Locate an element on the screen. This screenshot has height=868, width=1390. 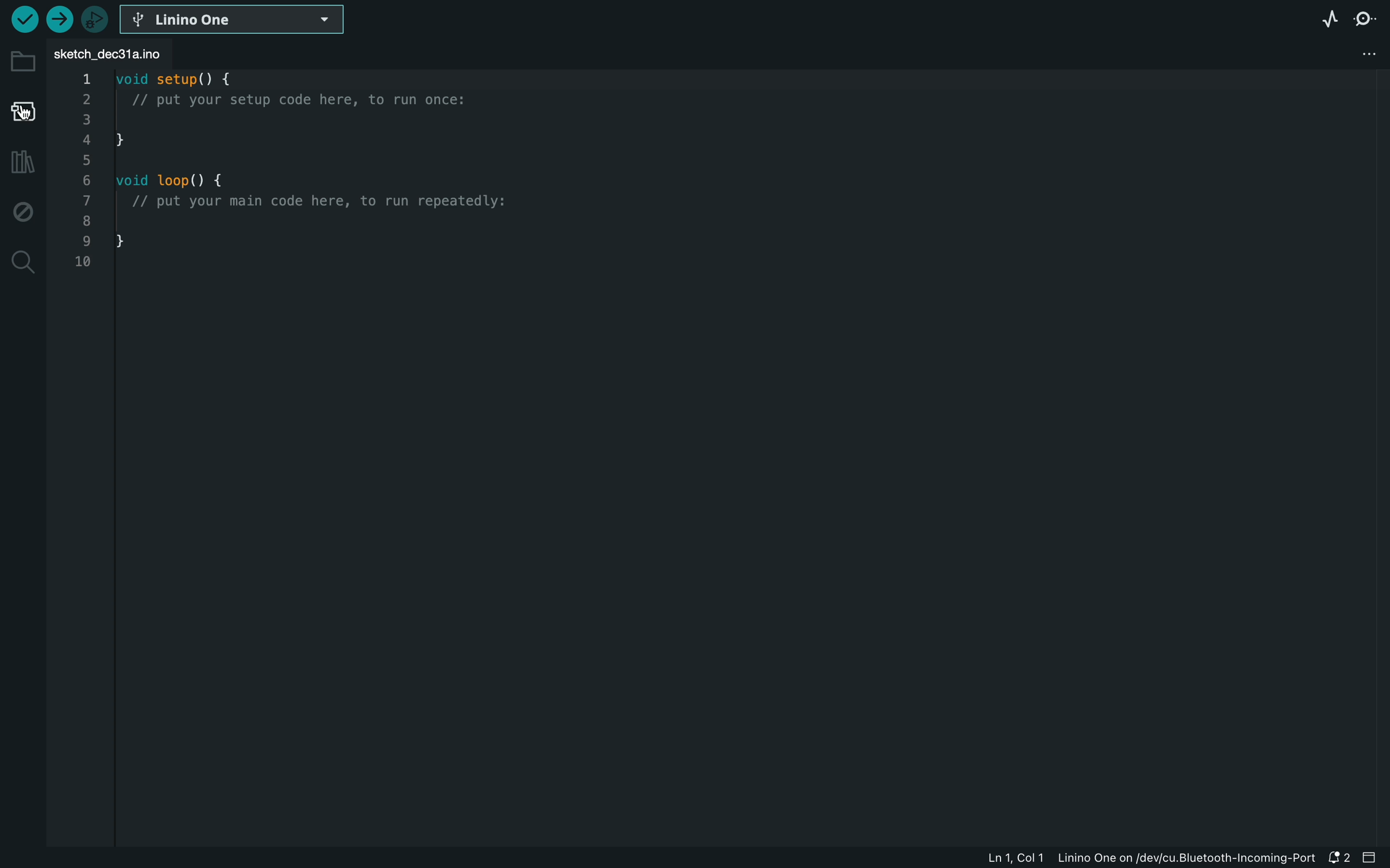
upload is located at coordinates (59, 22).